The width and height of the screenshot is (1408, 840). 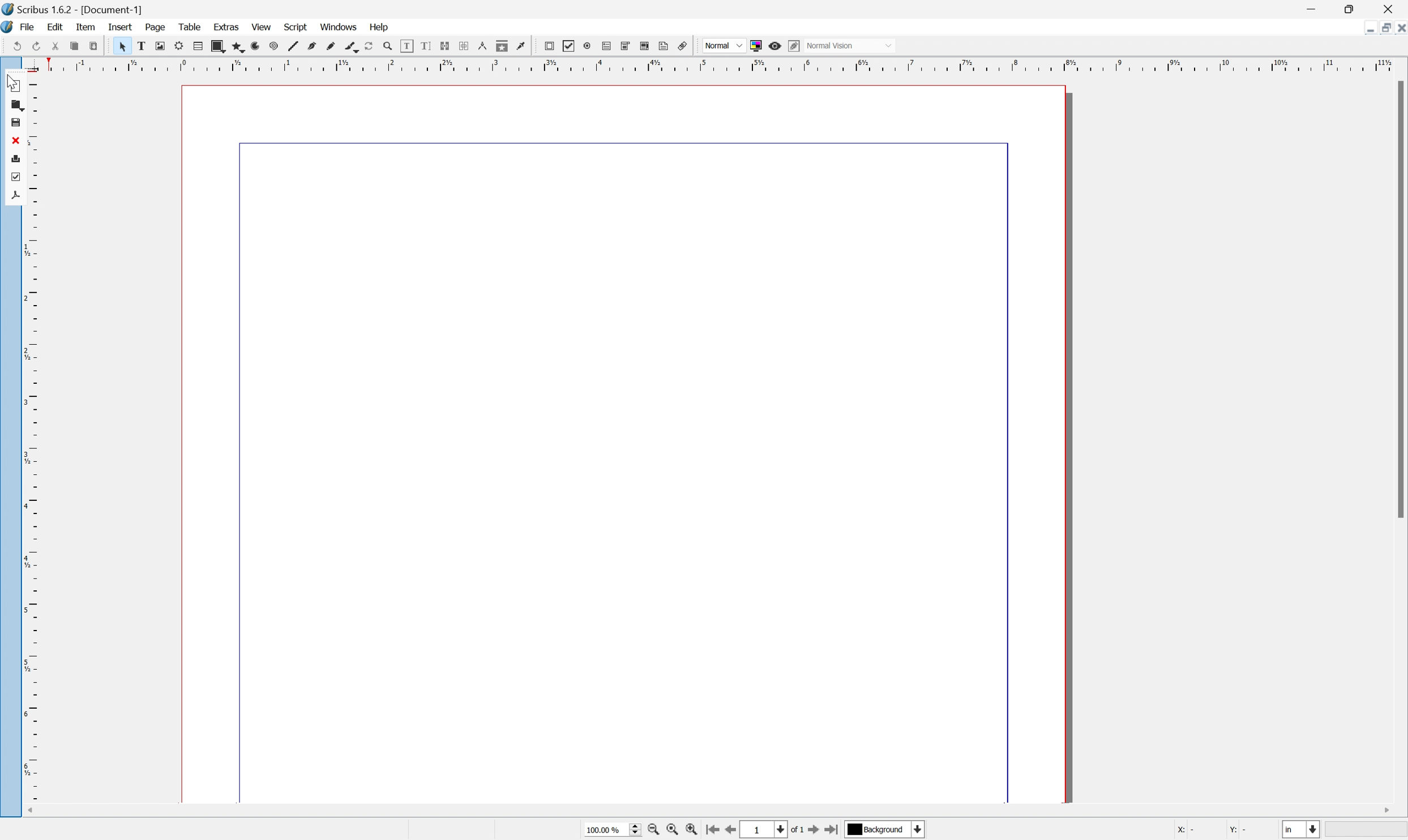 What do you see at coordinates (588, 46) in the screenshot?
I see `link text frames` at bounding box center [588, 46].